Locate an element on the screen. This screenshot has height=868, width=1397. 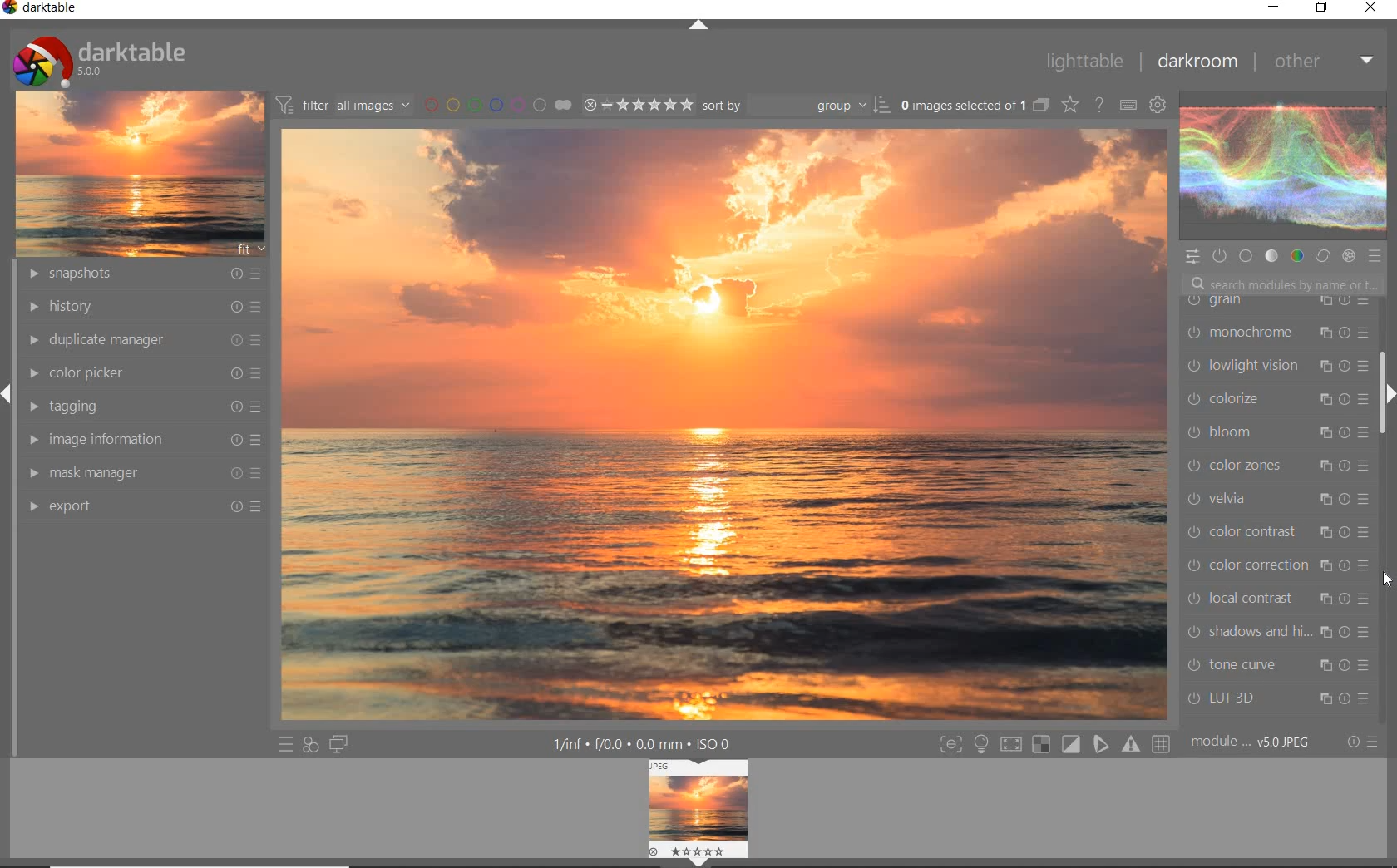
local contrast is located at coordinates (1277, 603).